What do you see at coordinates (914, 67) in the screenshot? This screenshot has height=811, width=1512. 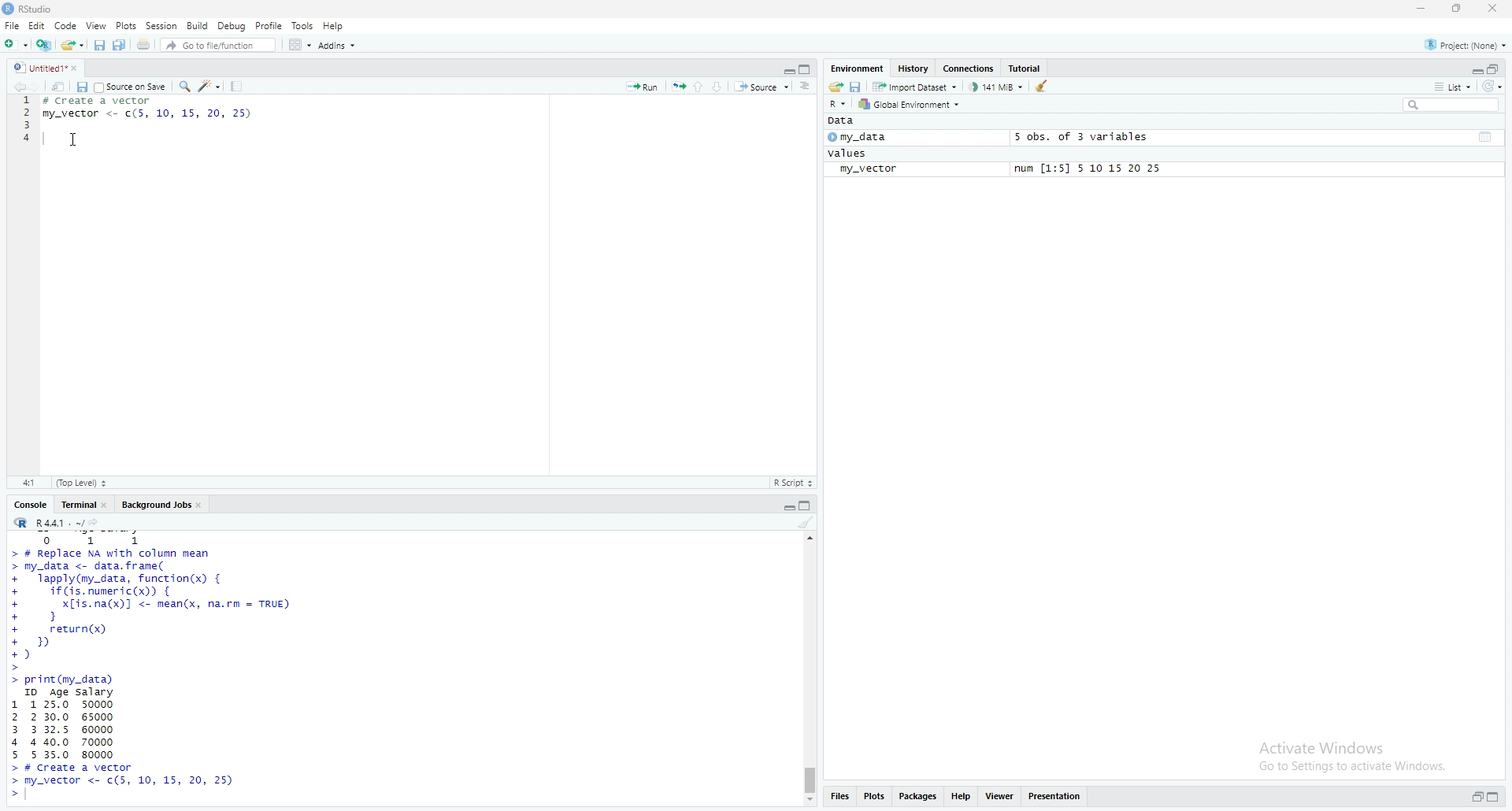 I see `History` at bounding box center [914, 67].